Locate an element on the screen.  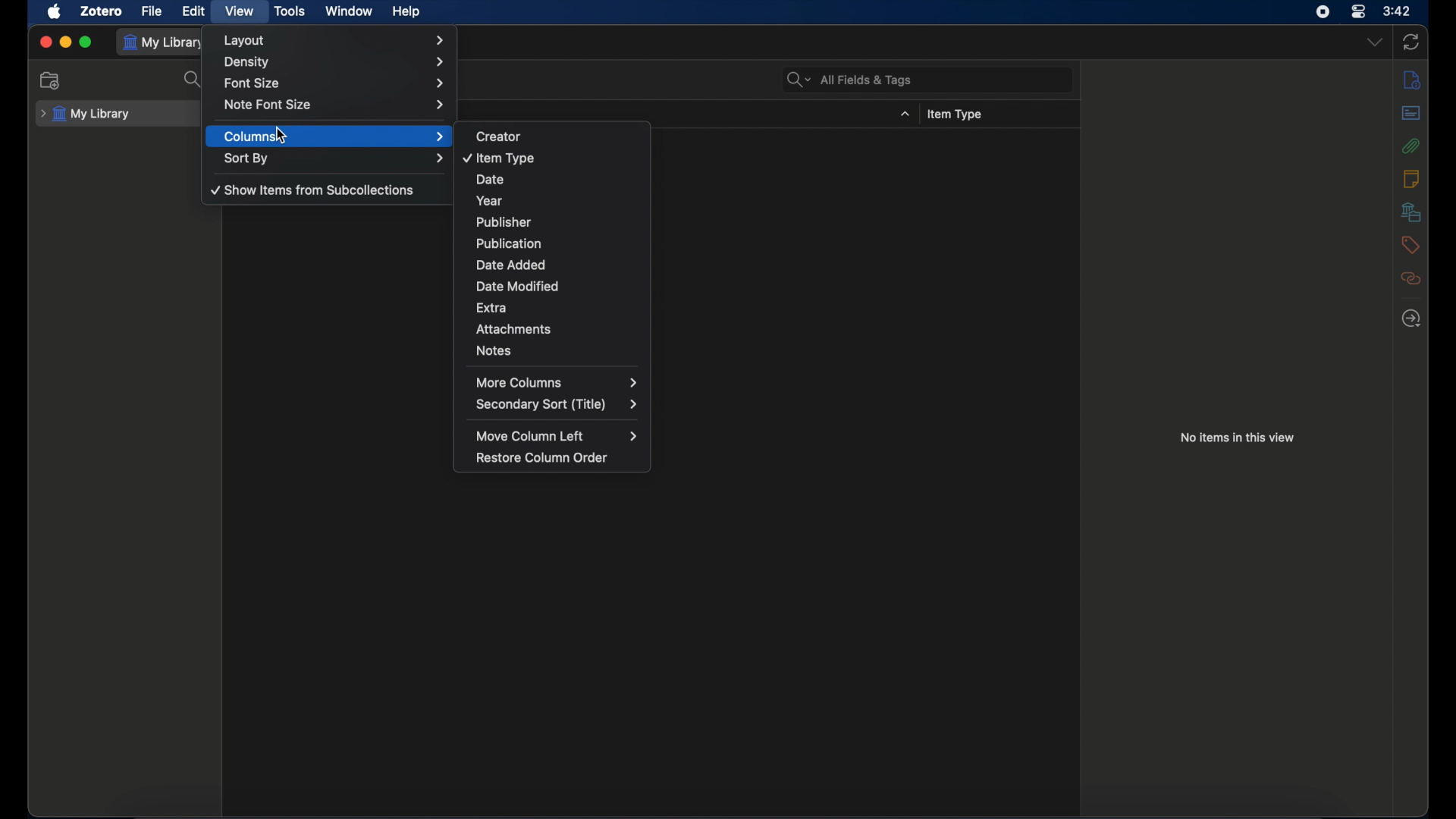
attachments is located at coordinates (558, 329).